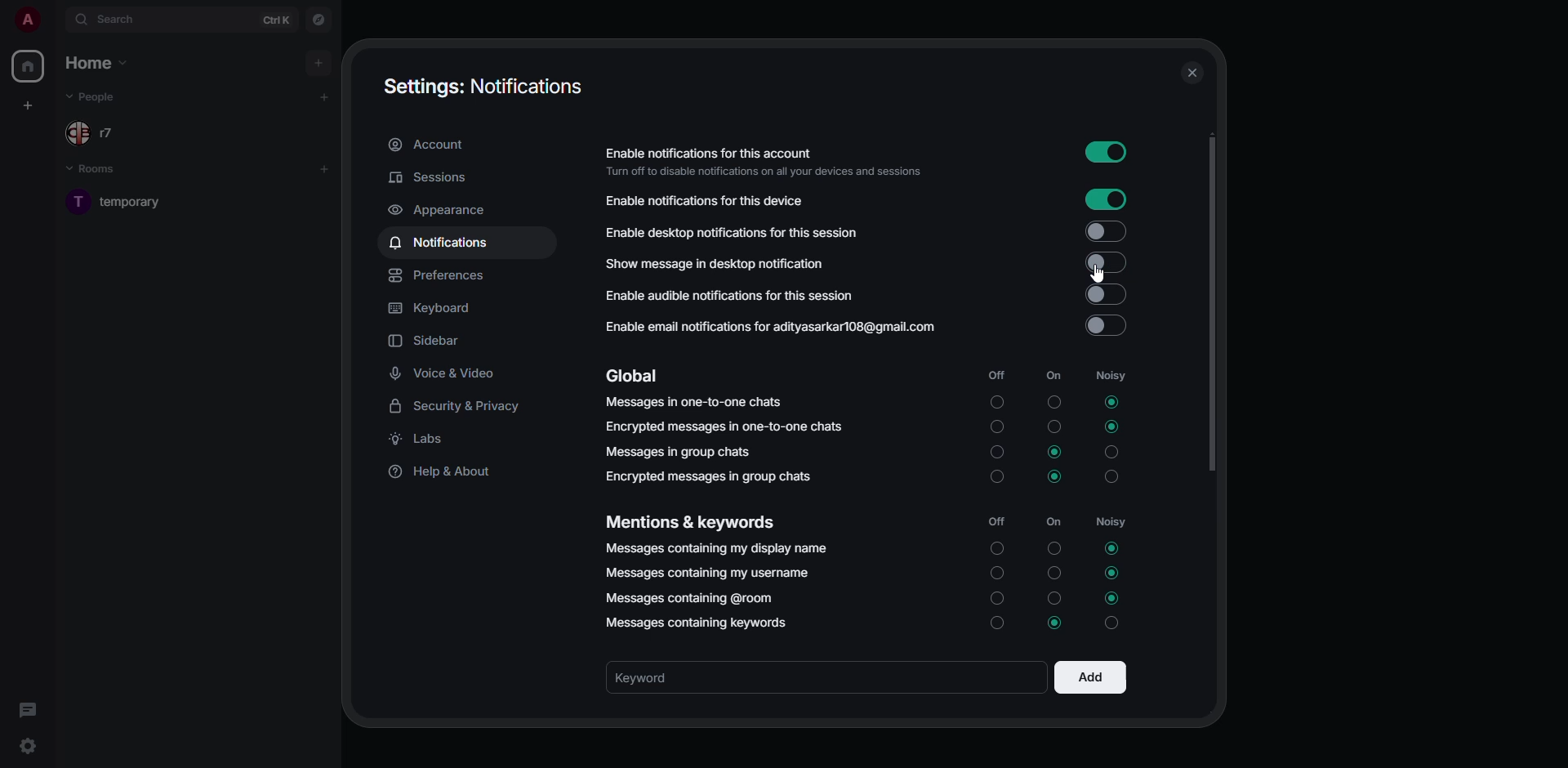 This screenshot has height=768, width=1568. I want to click on global, so click(637, 377).